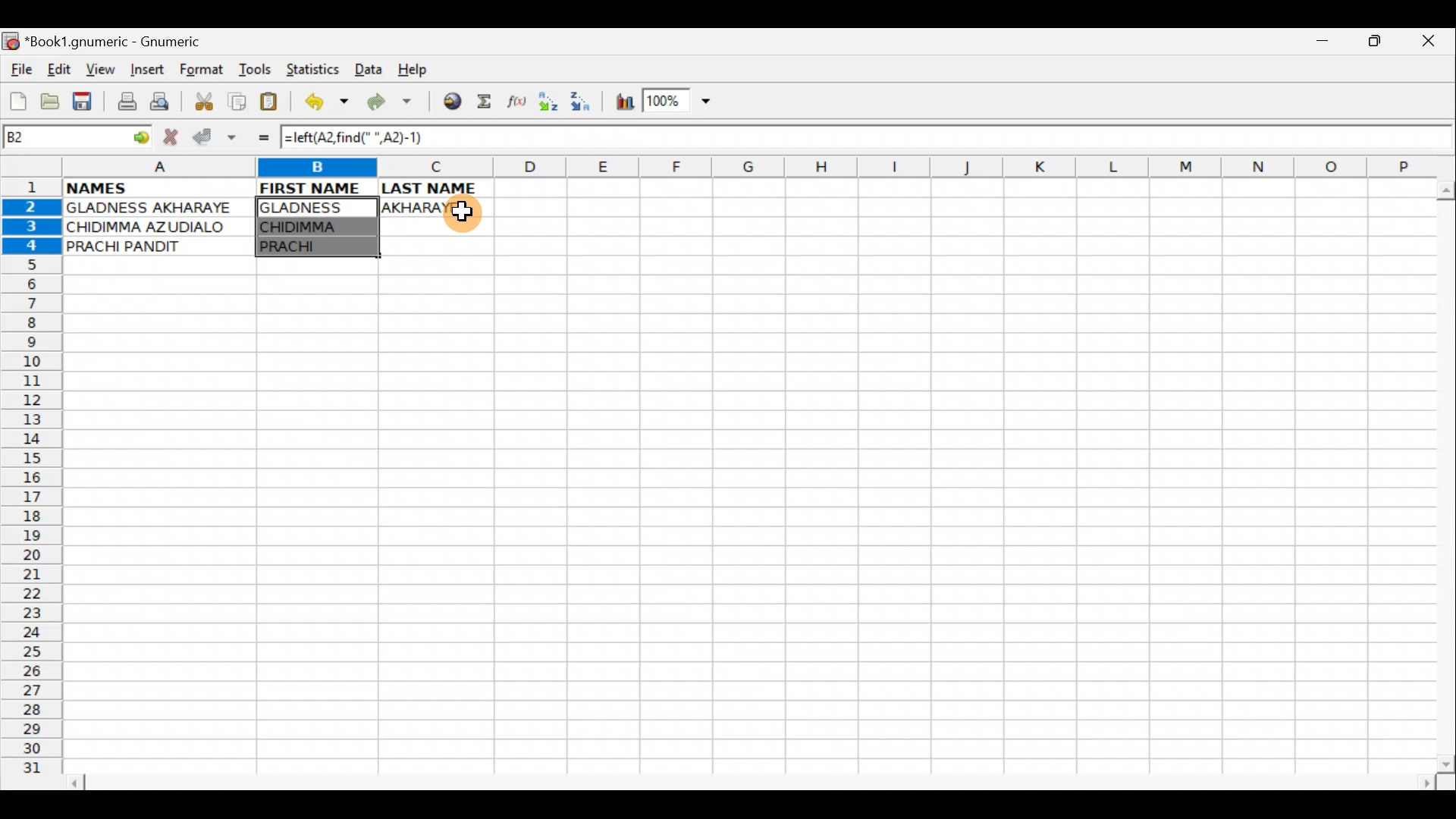  I want to click on Statistics, so click(317, 68).